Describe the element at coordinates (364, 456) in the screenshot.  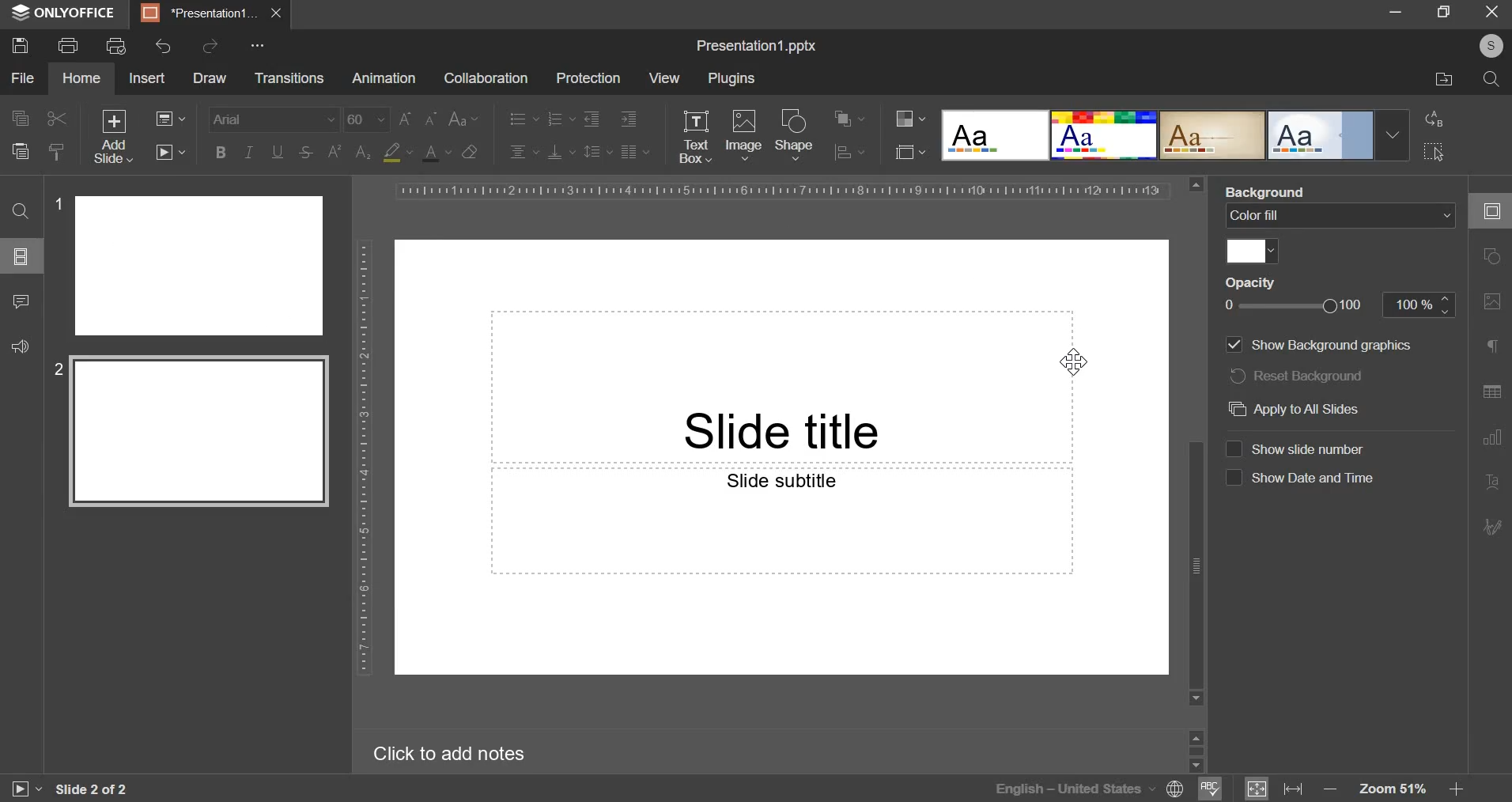
I see `vertical scale` at that location.